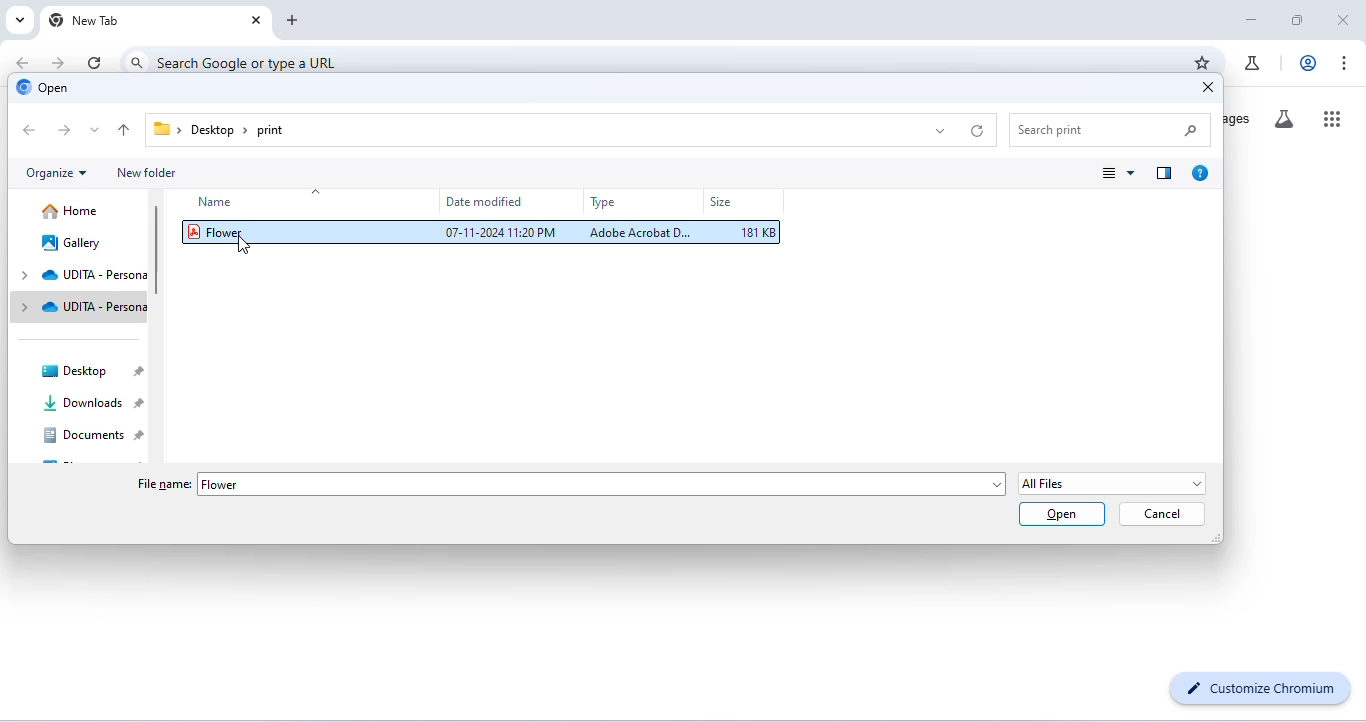 The width and height of the screenshot is (1366, 722). Describe the element at coordinates (1062, 515) in the screenshot. I see `open` at that location.